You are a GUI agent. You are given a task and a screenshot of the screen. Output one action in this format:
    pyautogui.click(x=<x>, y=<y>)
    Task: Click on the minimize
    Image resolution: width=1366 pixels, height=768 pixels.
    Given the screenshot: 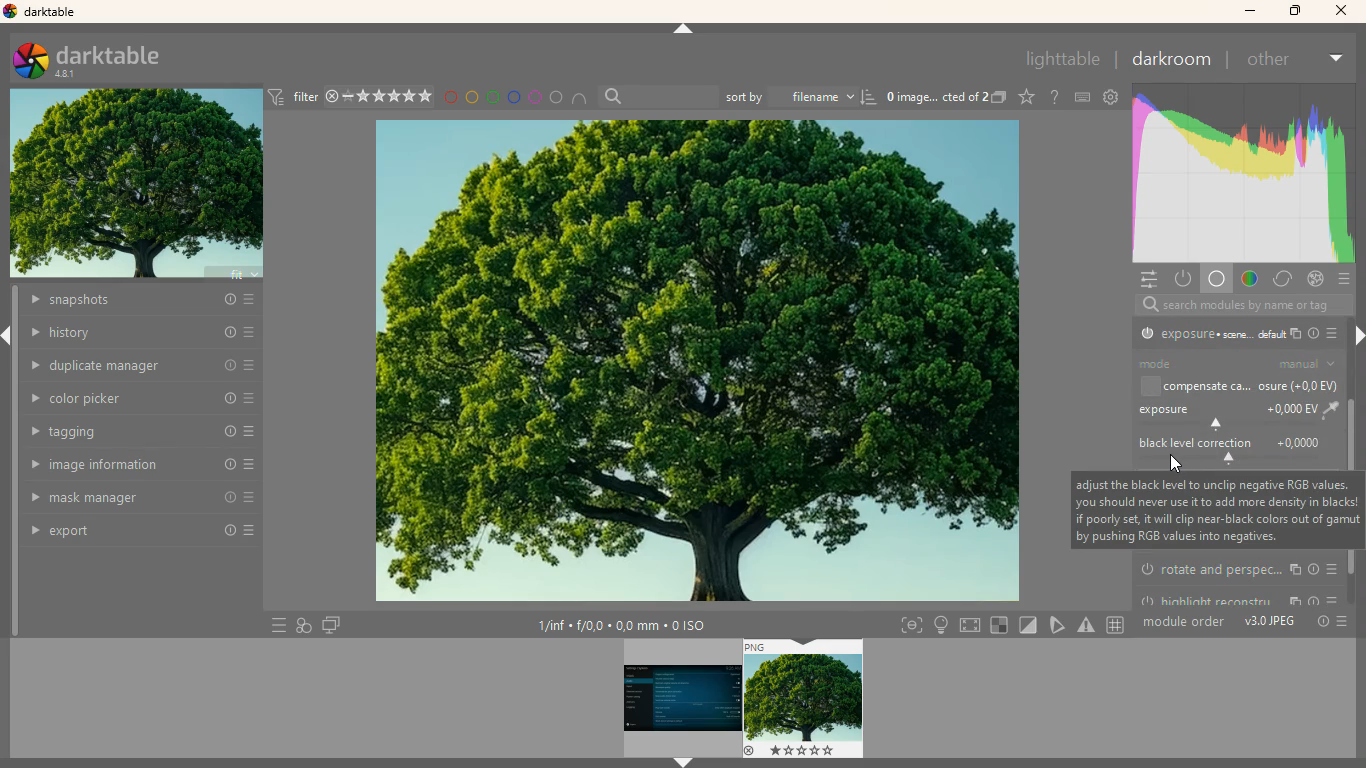 What is the action you would take?
    pyautogui.click(x=1250, y=12)
    